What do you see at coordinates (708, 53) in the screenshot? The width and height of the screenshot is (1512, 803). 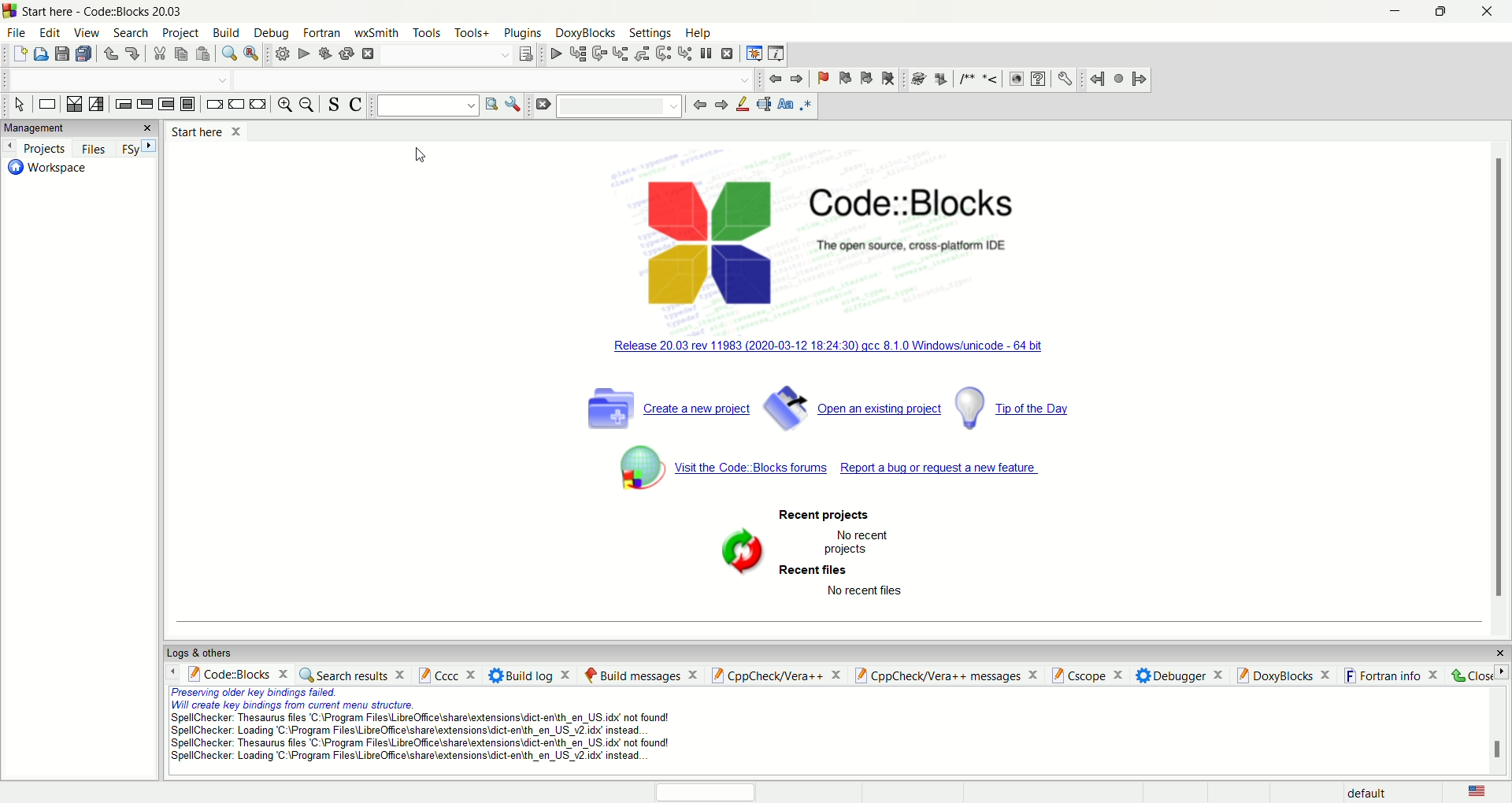 I see `break debugger` at bounding box center [708, 53].